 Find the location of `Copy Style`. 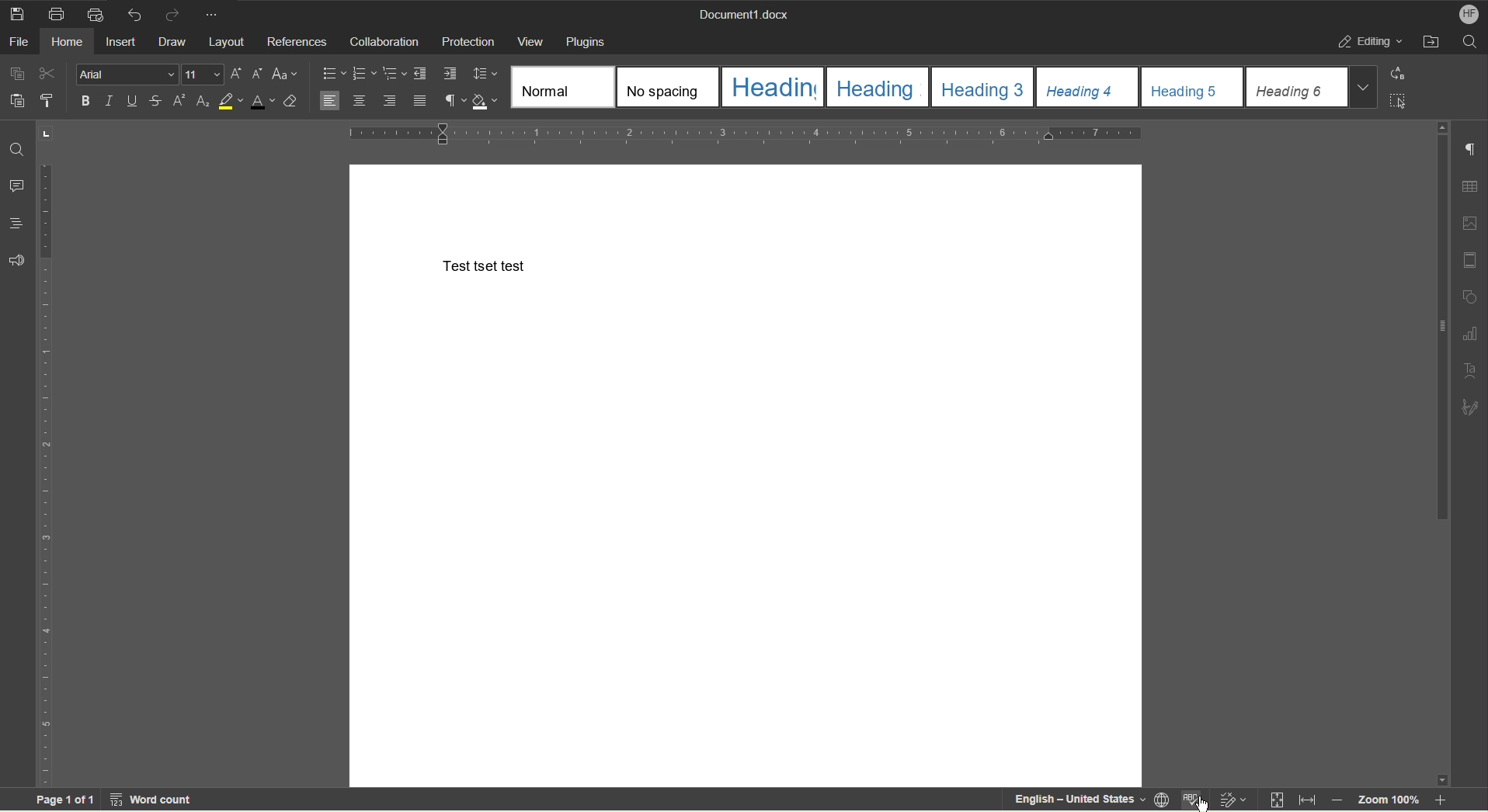

Copy Style is located at coordinates (45, 99).